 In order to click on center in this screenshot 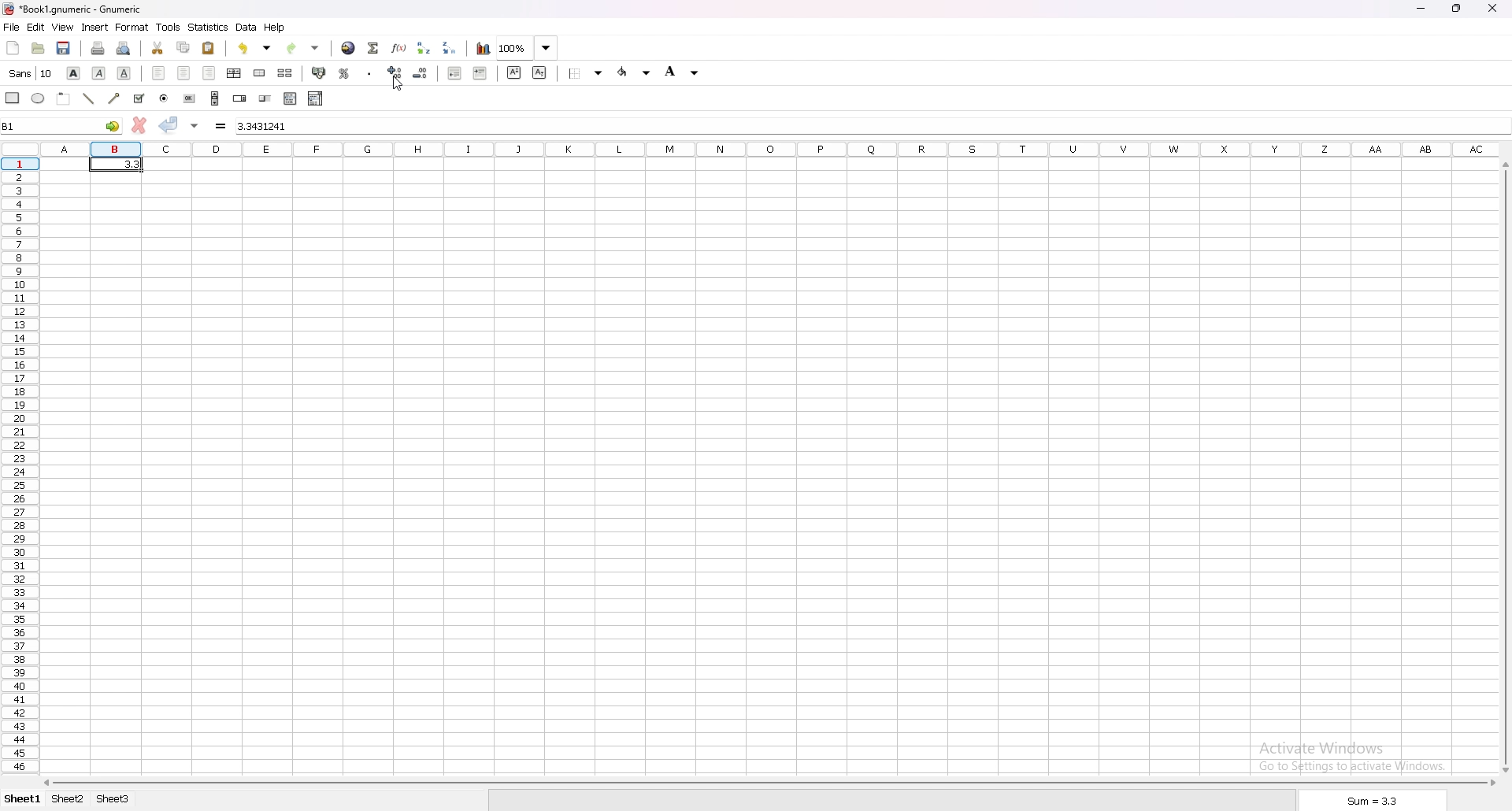, I will do `click(184, 72)`.